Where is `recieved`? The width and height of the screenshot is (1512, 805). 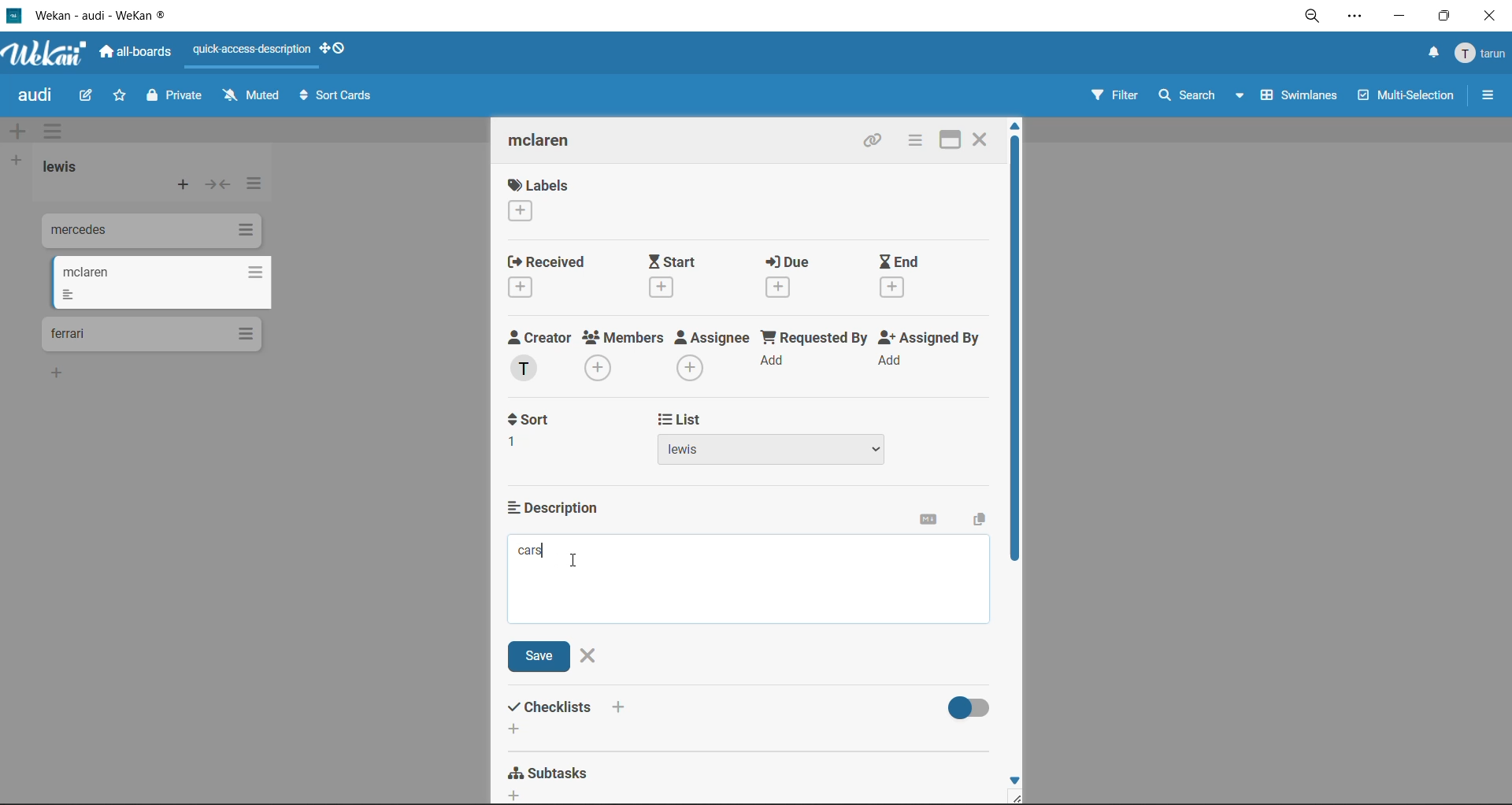 recieved is located at coordinates (552, 276).